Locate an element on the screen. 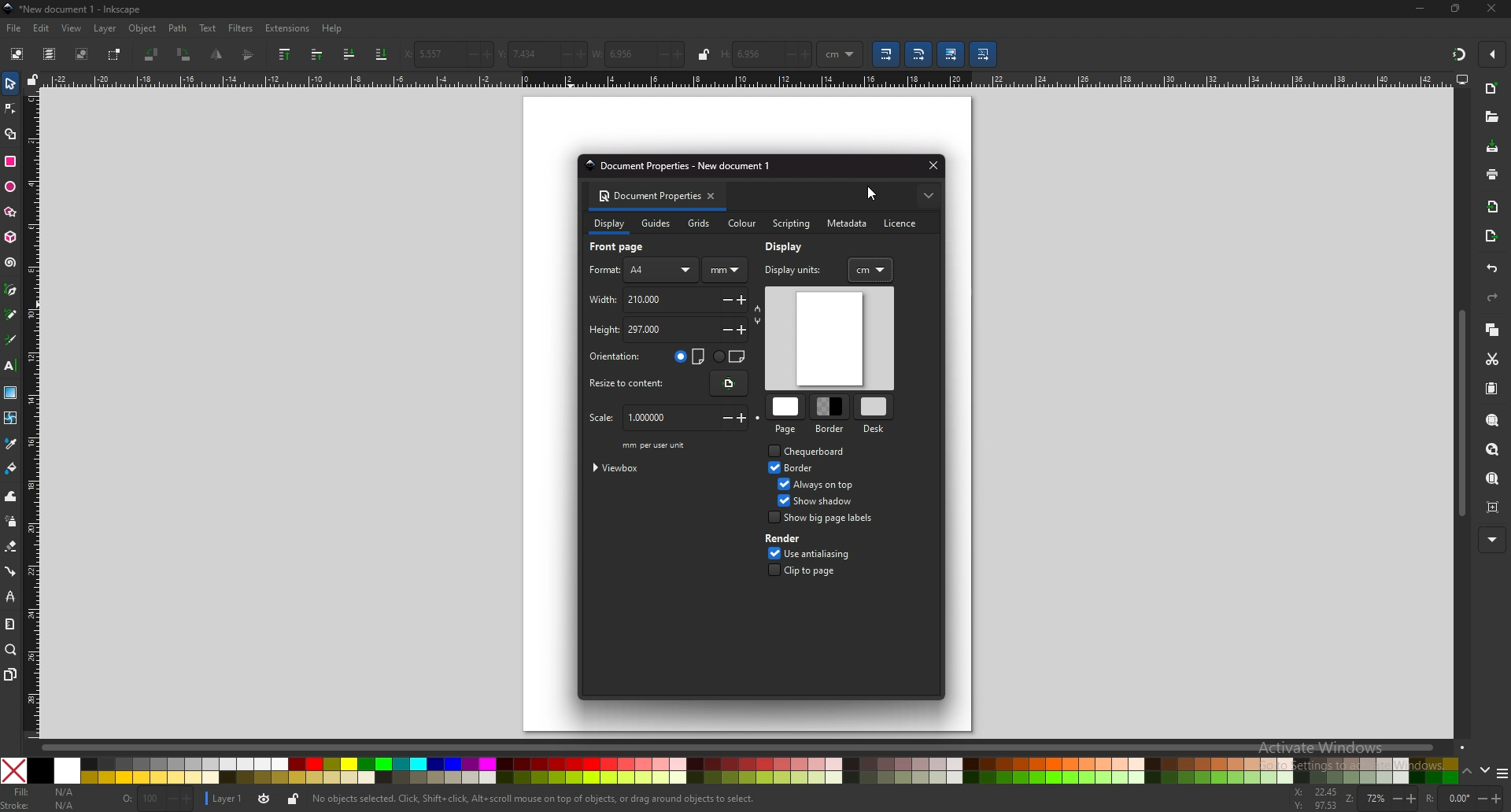 Image resolution: width=1511 pixels, height=812 pixels. Checkbox is located at coordinates (779, 482).